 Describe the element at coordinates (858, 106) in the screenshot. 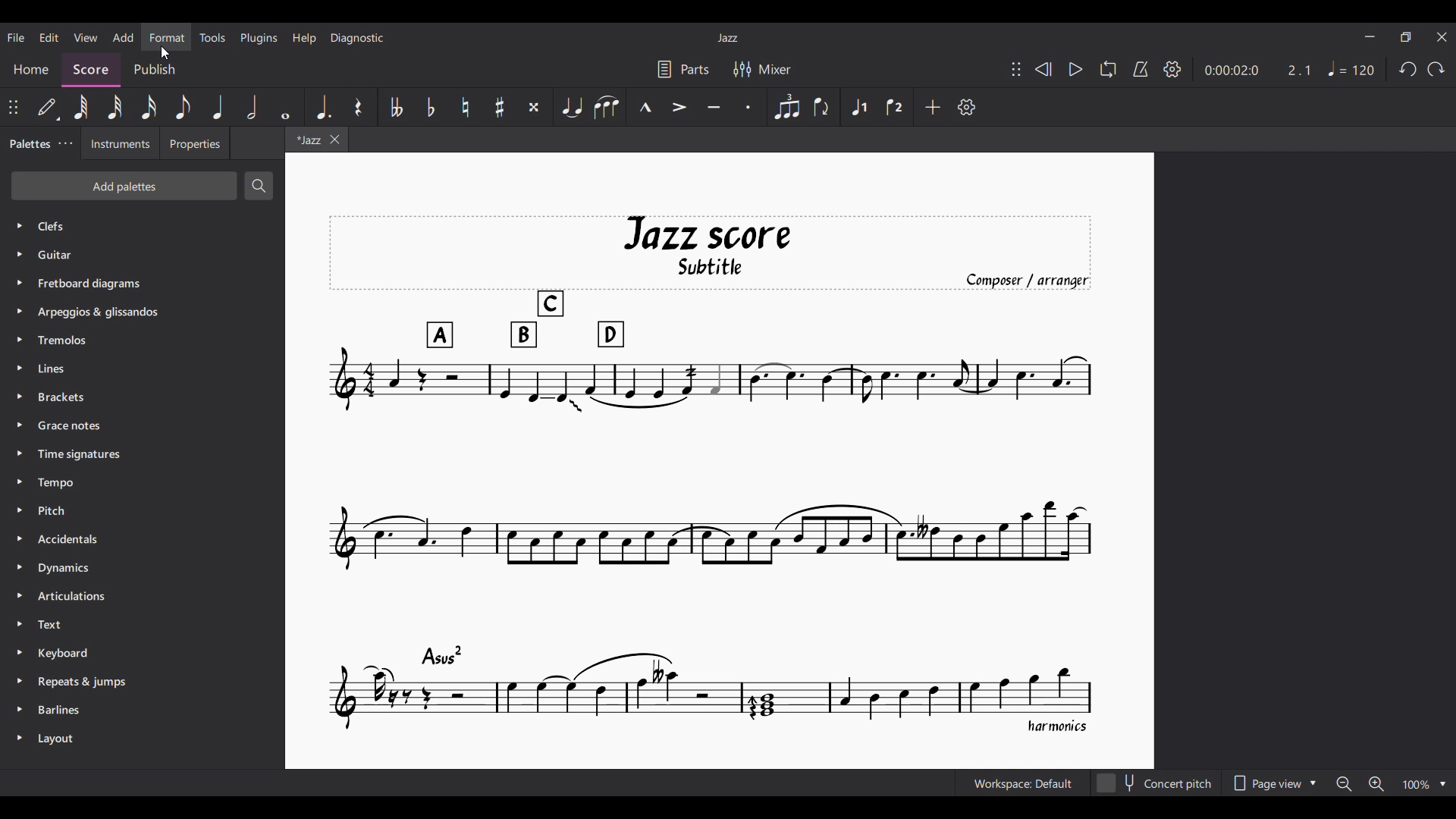

I see `Voice 1` at that location.